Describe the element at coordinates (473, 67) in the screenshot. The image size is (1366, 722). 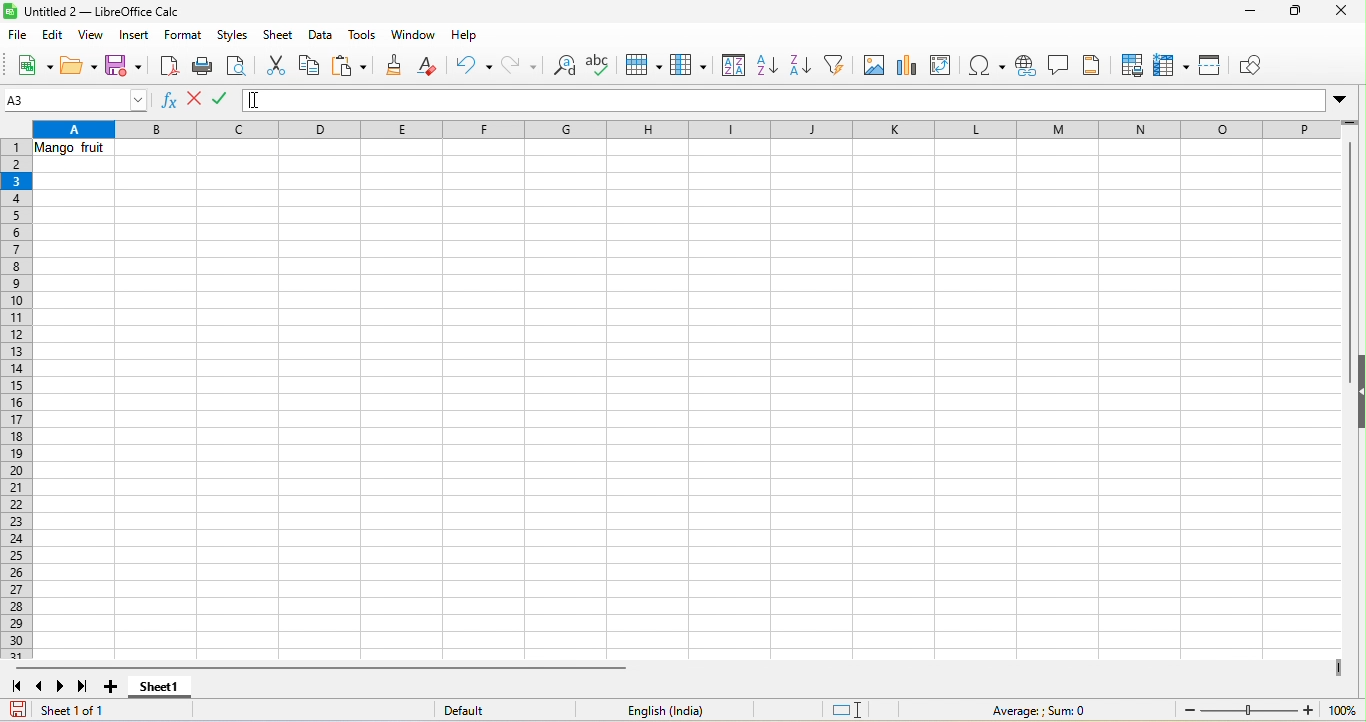
I see `undo` at that location.